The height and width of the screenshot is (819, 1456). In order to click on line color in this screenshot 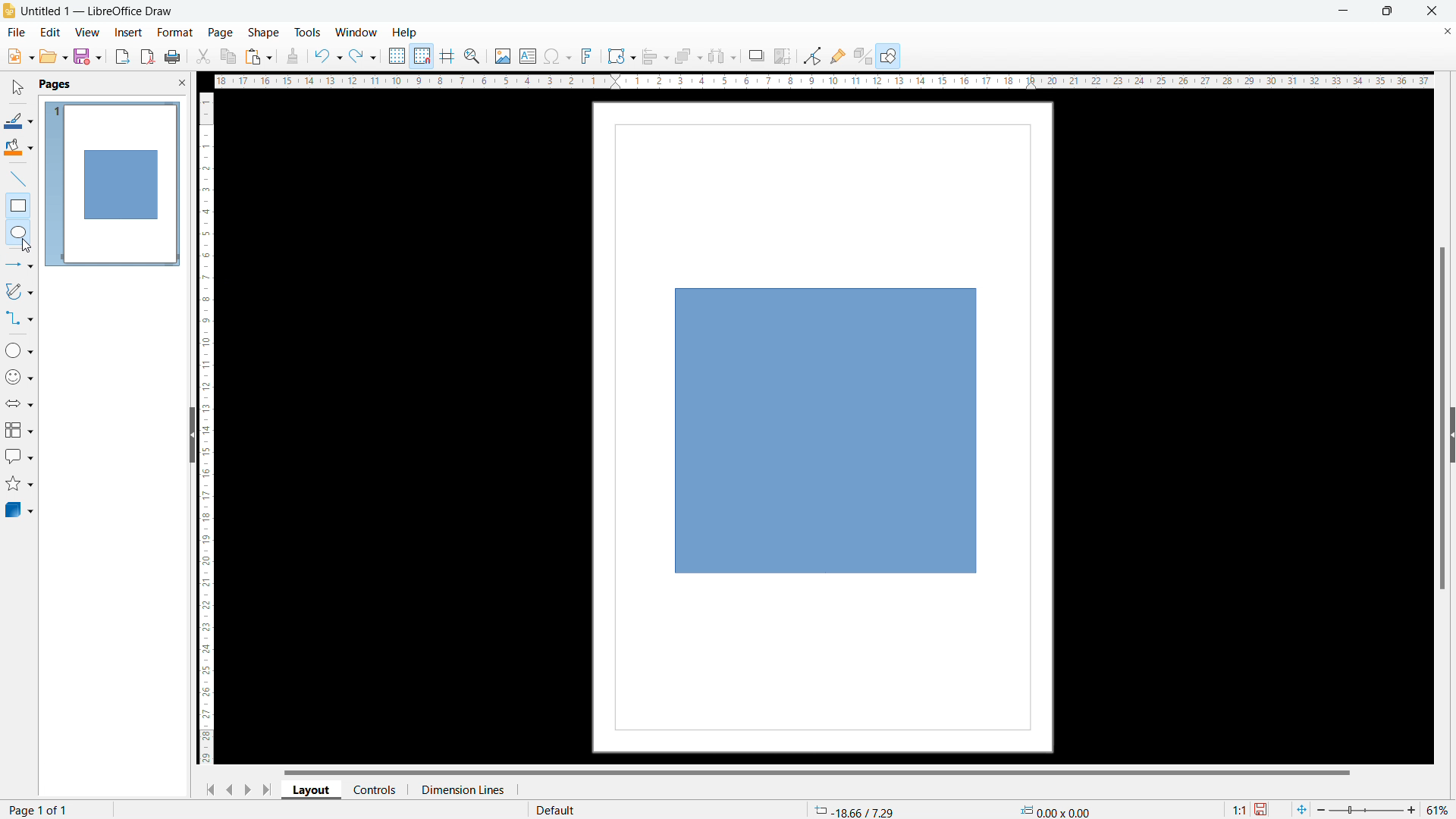, I will do `click(18, 121)`.